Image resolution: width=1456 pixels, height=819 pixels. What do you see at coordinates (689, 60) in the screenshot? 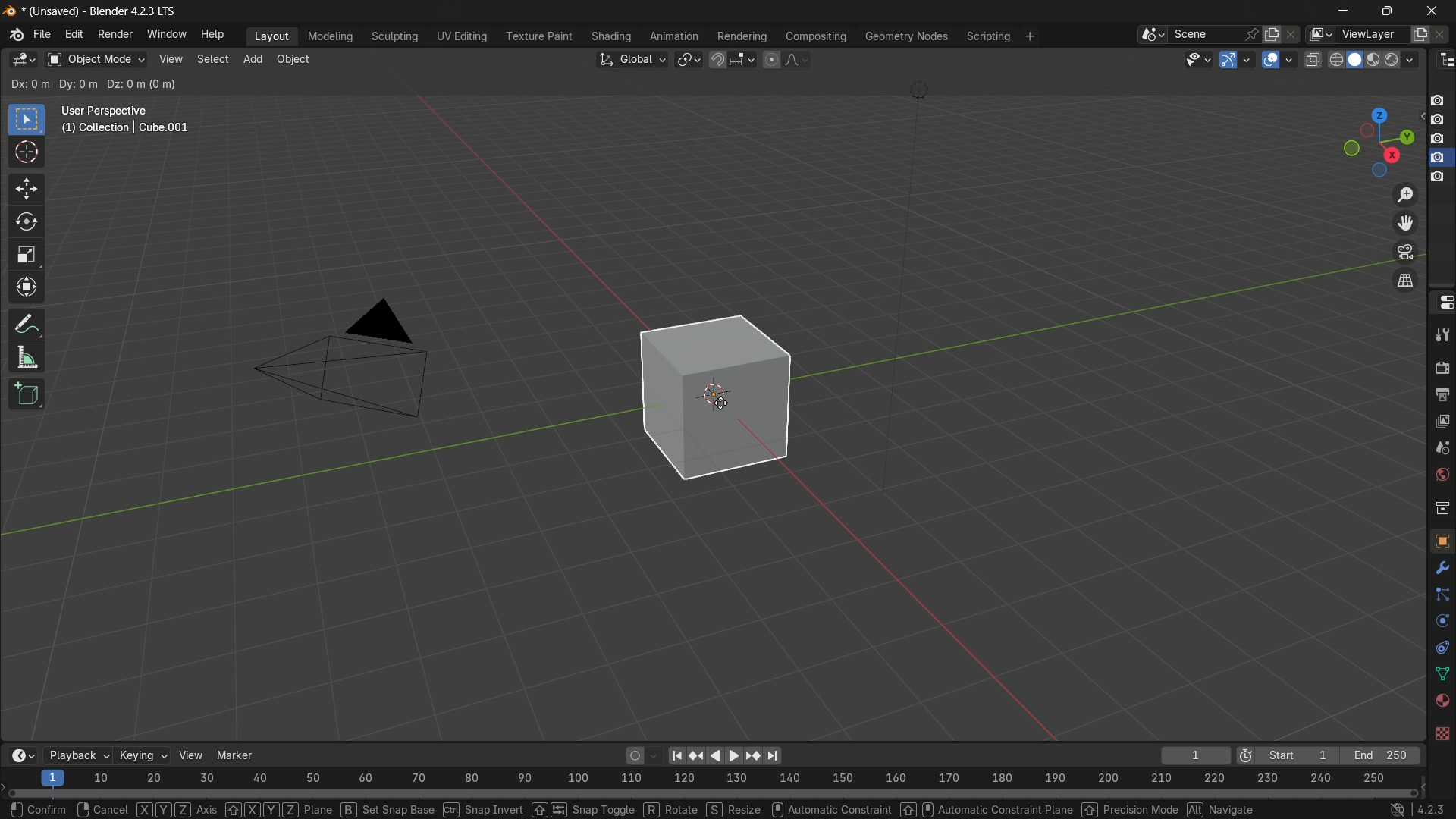
I see `transform pivot point` at bounding box center [689, 60].